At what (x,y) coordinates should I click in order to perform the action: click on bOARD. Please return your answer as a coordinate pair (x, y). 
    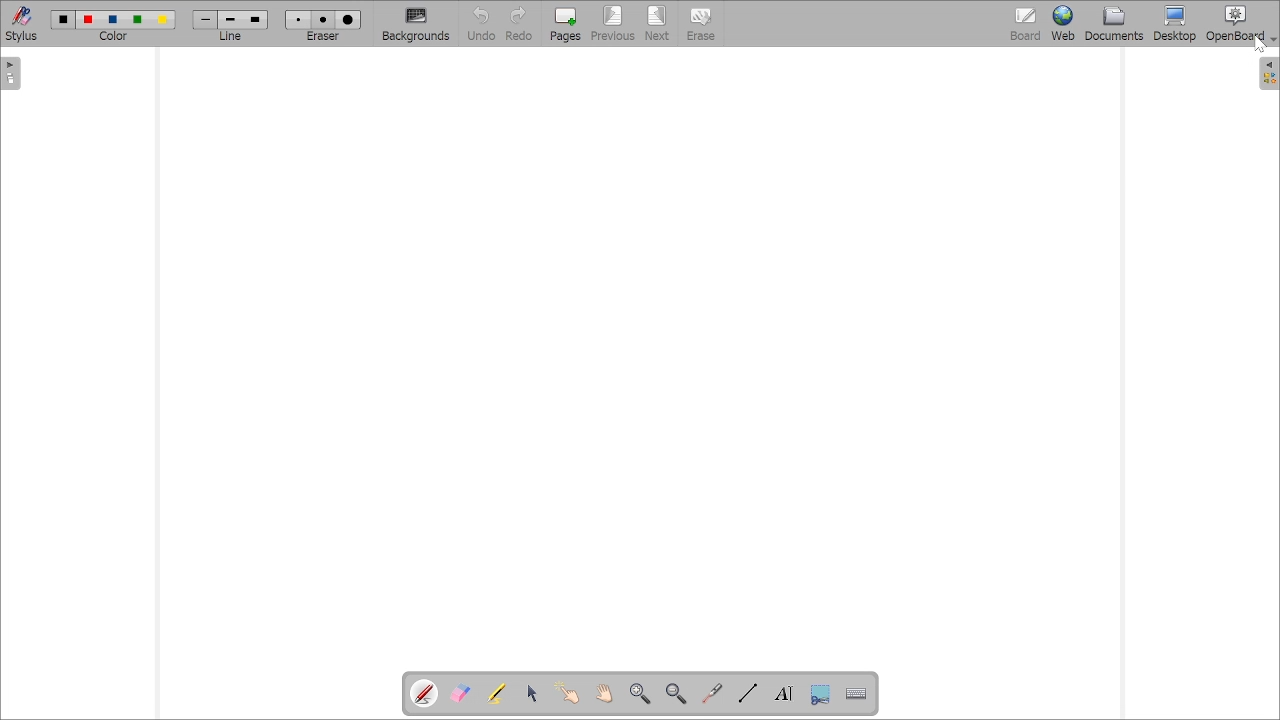
    Looking at the image, I should click on (1025, 24).